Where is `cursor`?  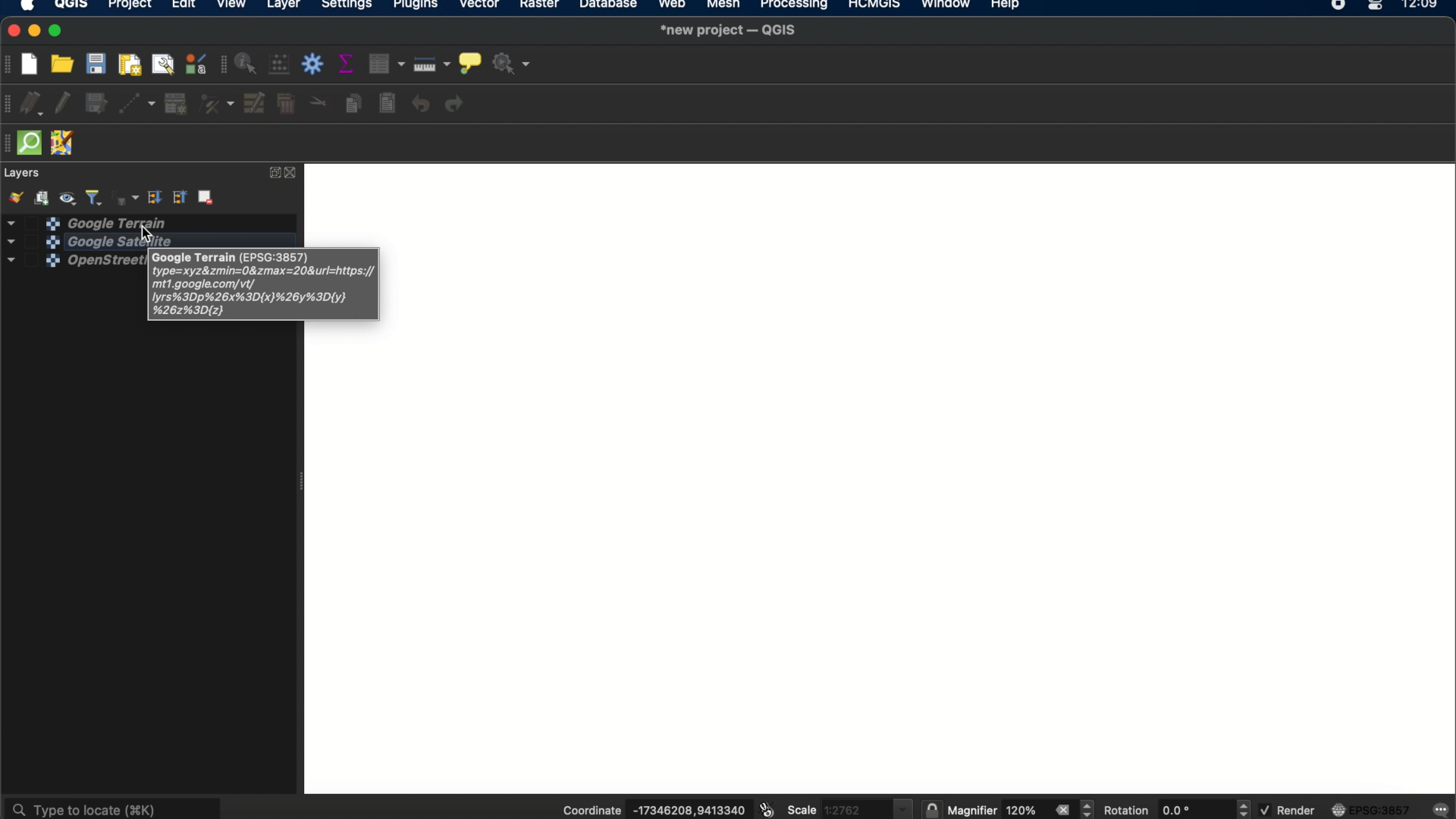 cursor is located at coordinates (146, 231).